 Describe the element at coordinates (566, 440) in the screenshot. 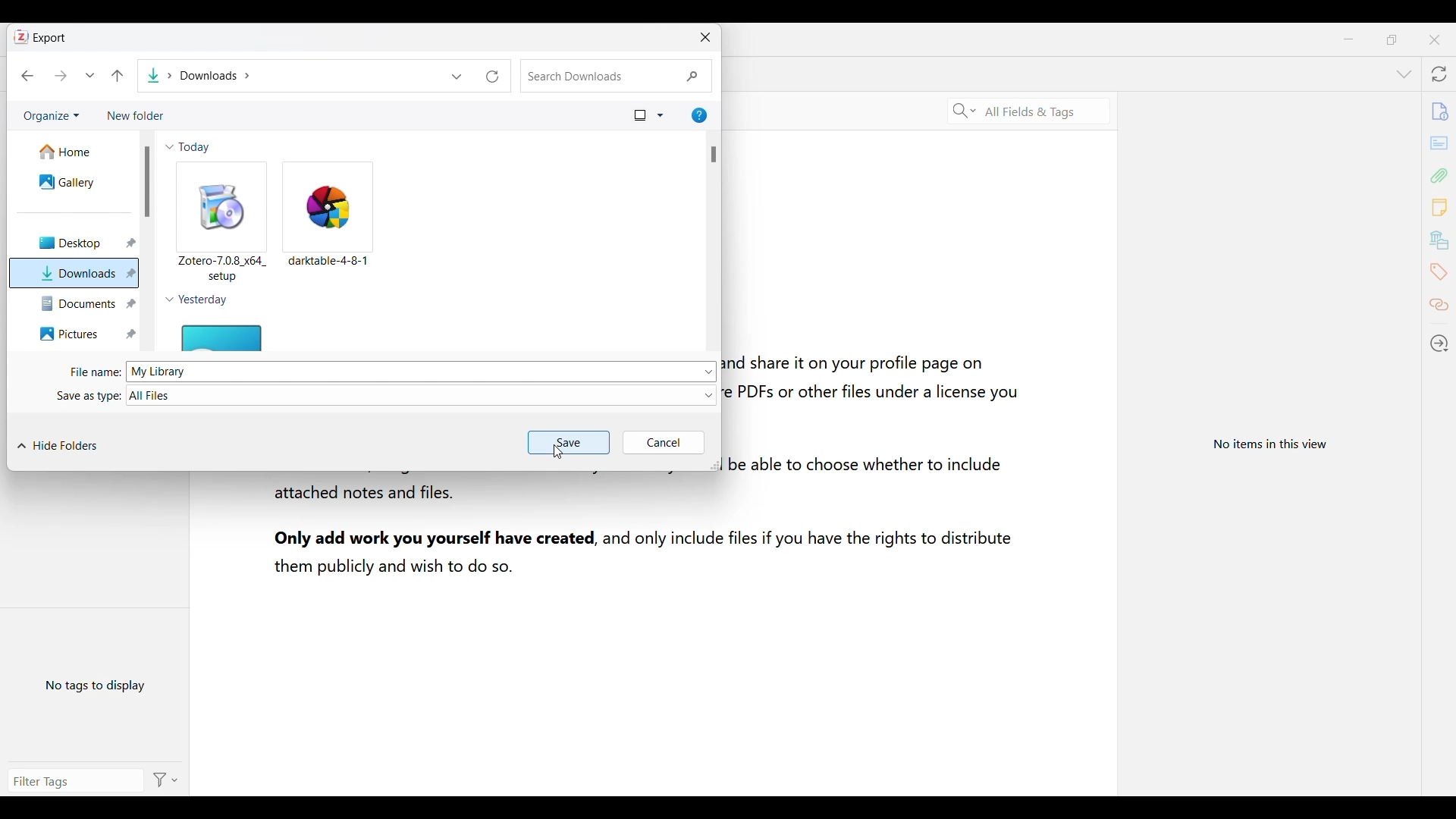

I see `Save` at that location.